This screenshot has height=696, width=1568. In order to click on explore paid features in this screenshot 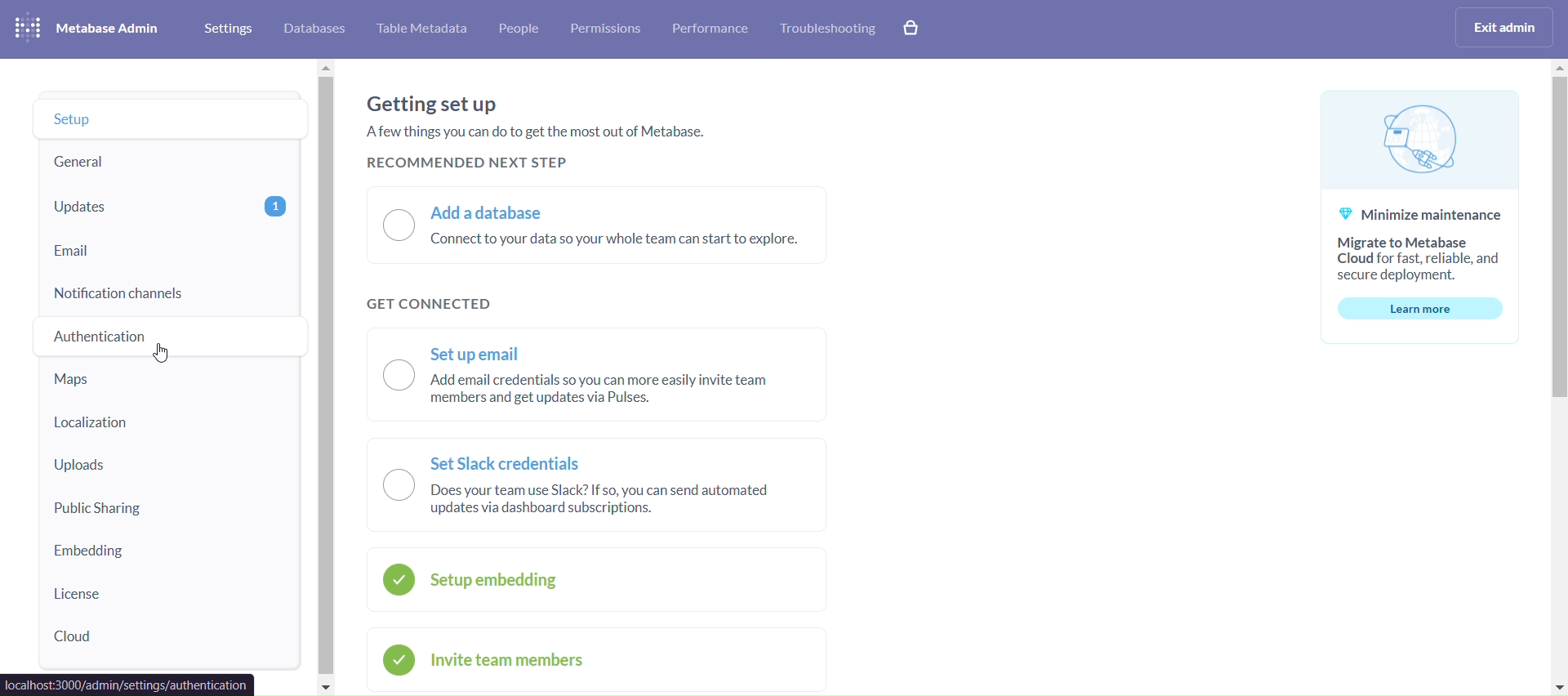, I will do `click(915, 29)`.